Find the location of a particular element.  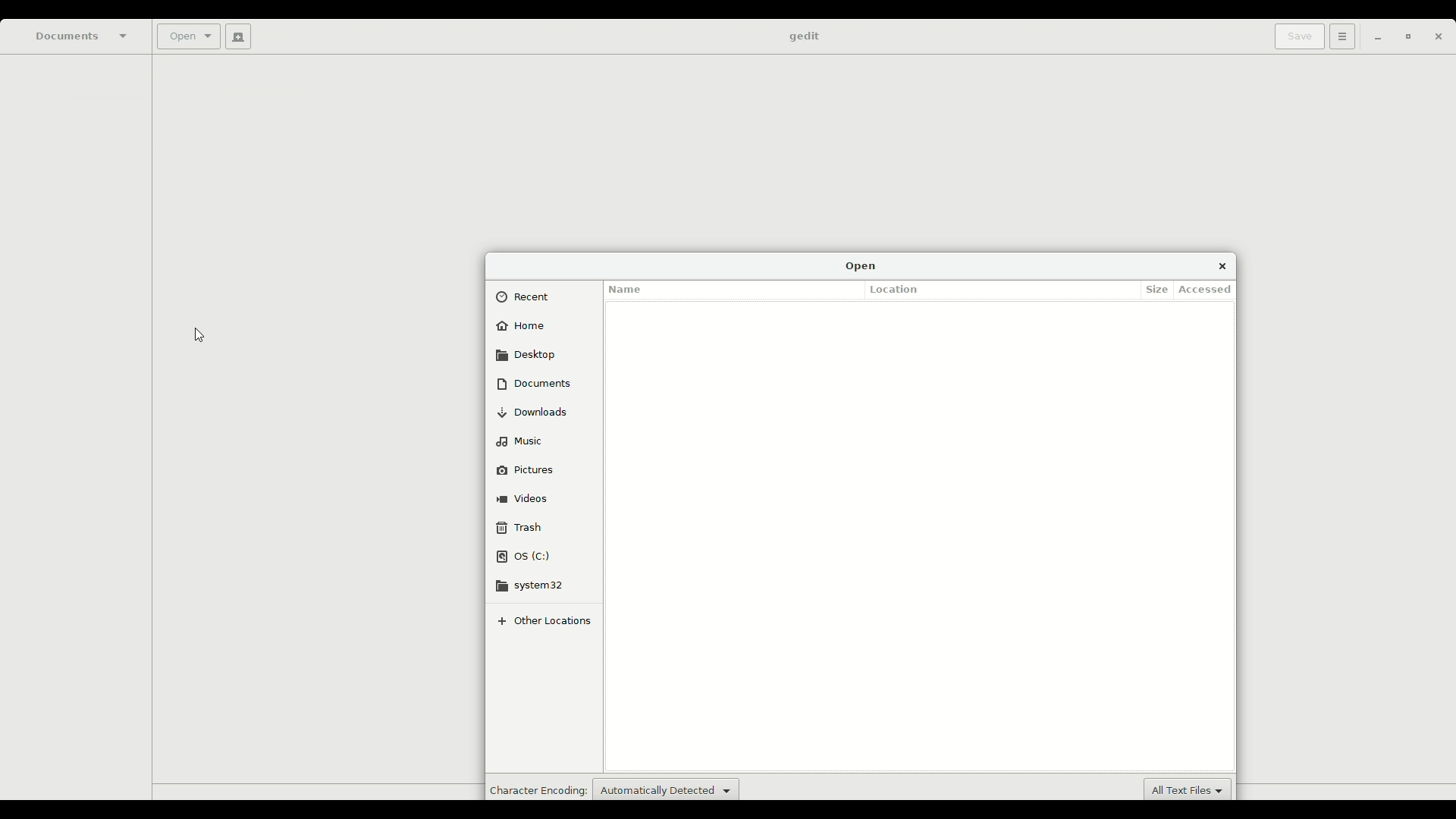

Home is located at coordinates (523, 328).